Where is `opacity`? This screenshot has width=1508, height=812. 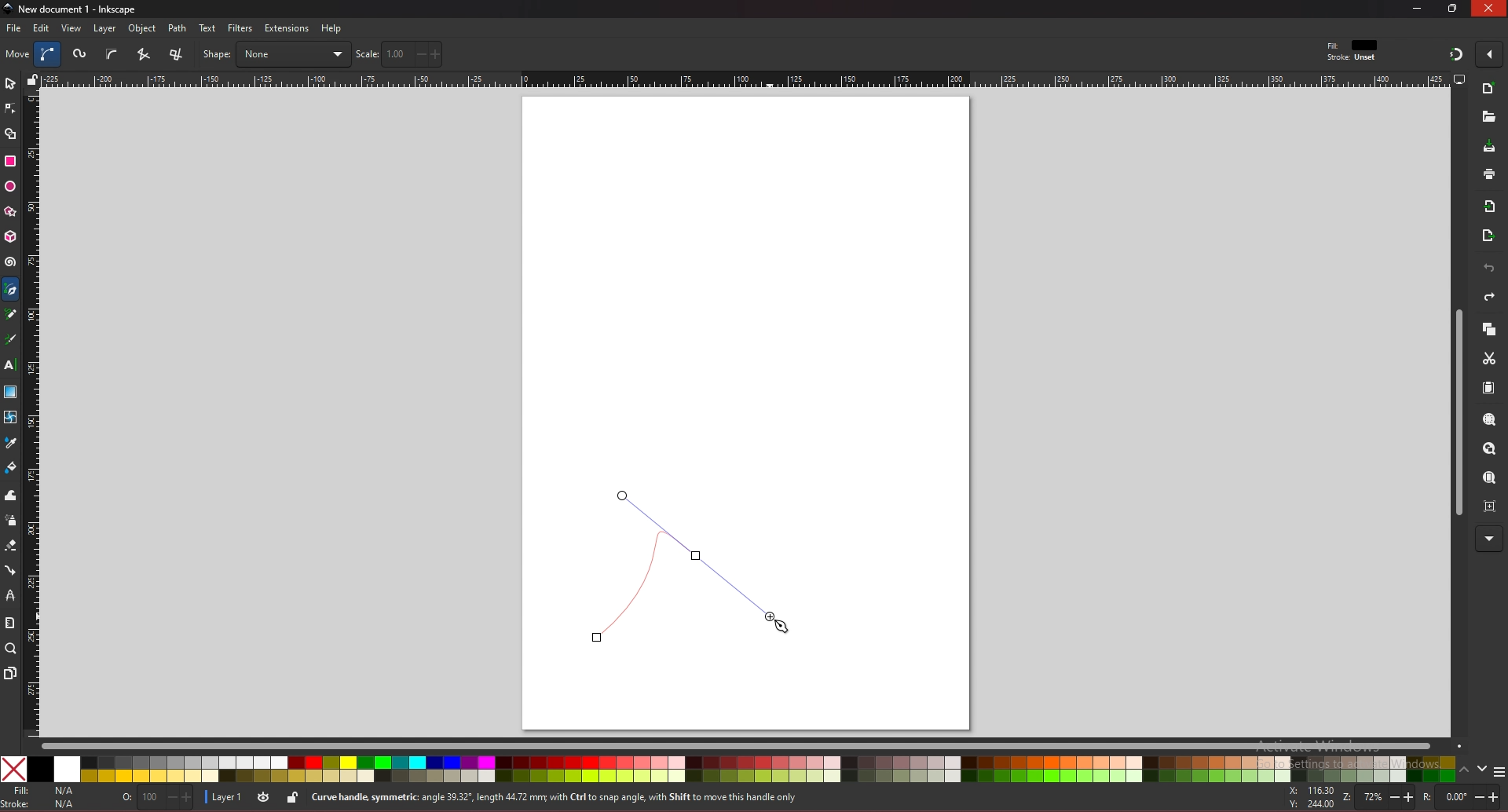
opacity is located at coordinates (159, 799).